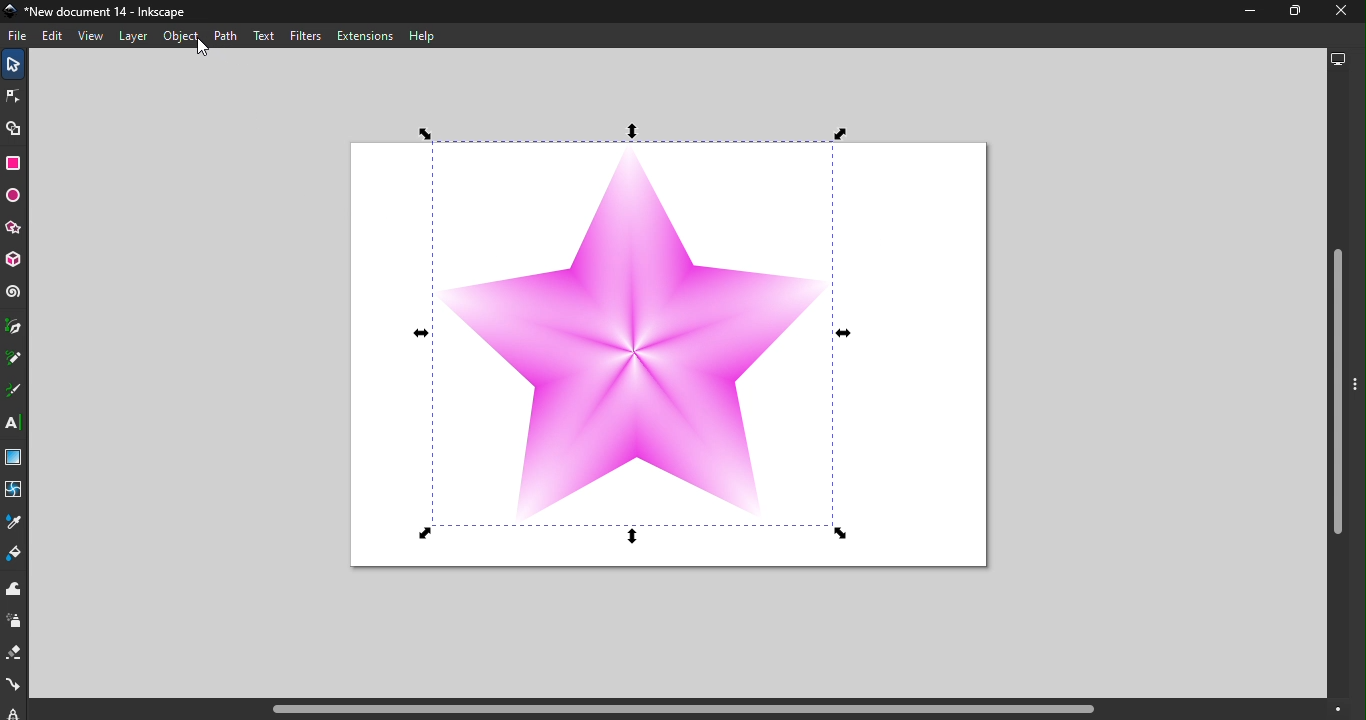  What do you see at coordinates (14, 323) in the screenshot?
I see `Pen tool` at bounding box center [14, 323].